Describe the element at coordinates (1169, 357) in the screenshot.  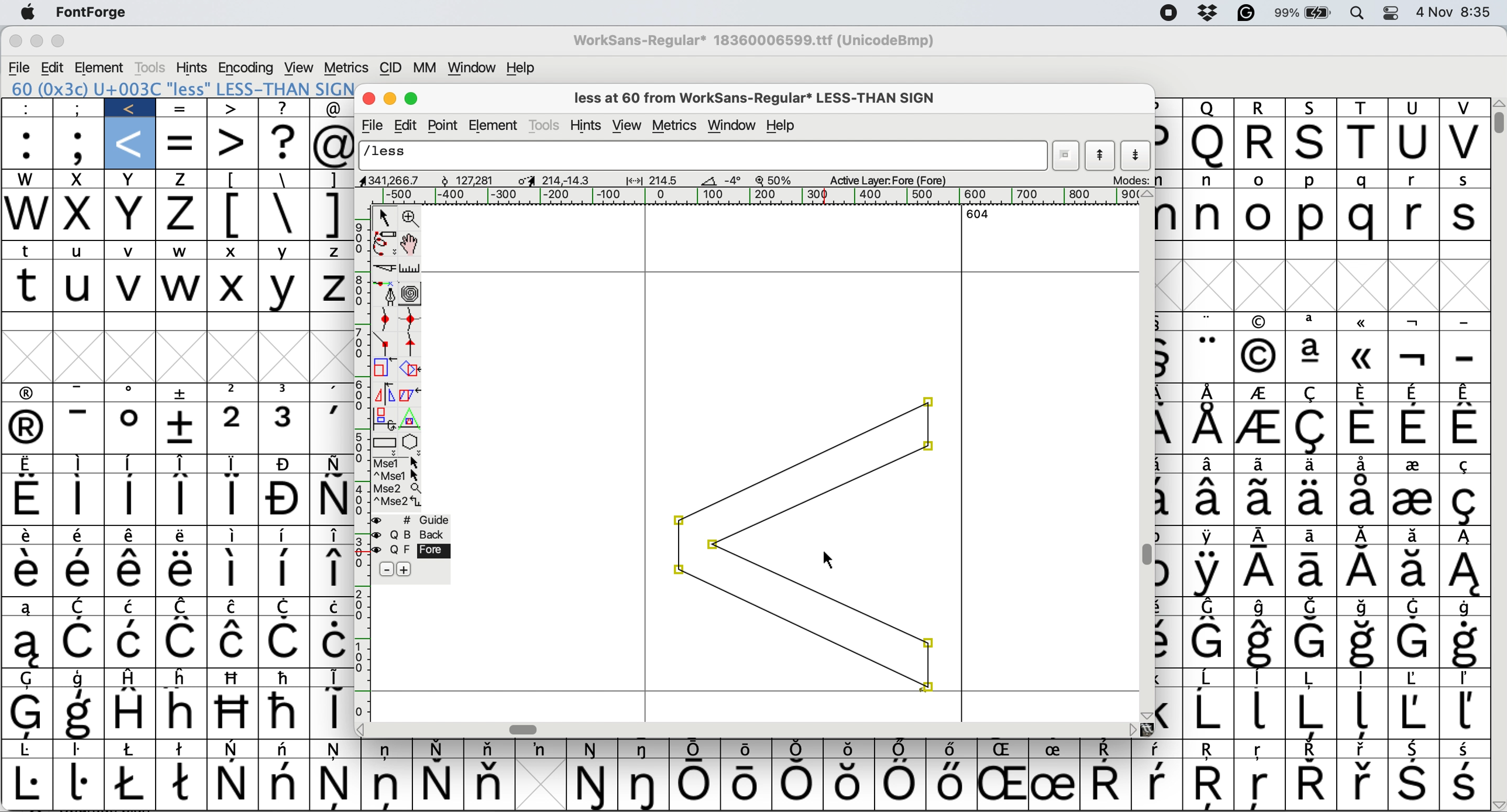
I see `Symbol` at that location.